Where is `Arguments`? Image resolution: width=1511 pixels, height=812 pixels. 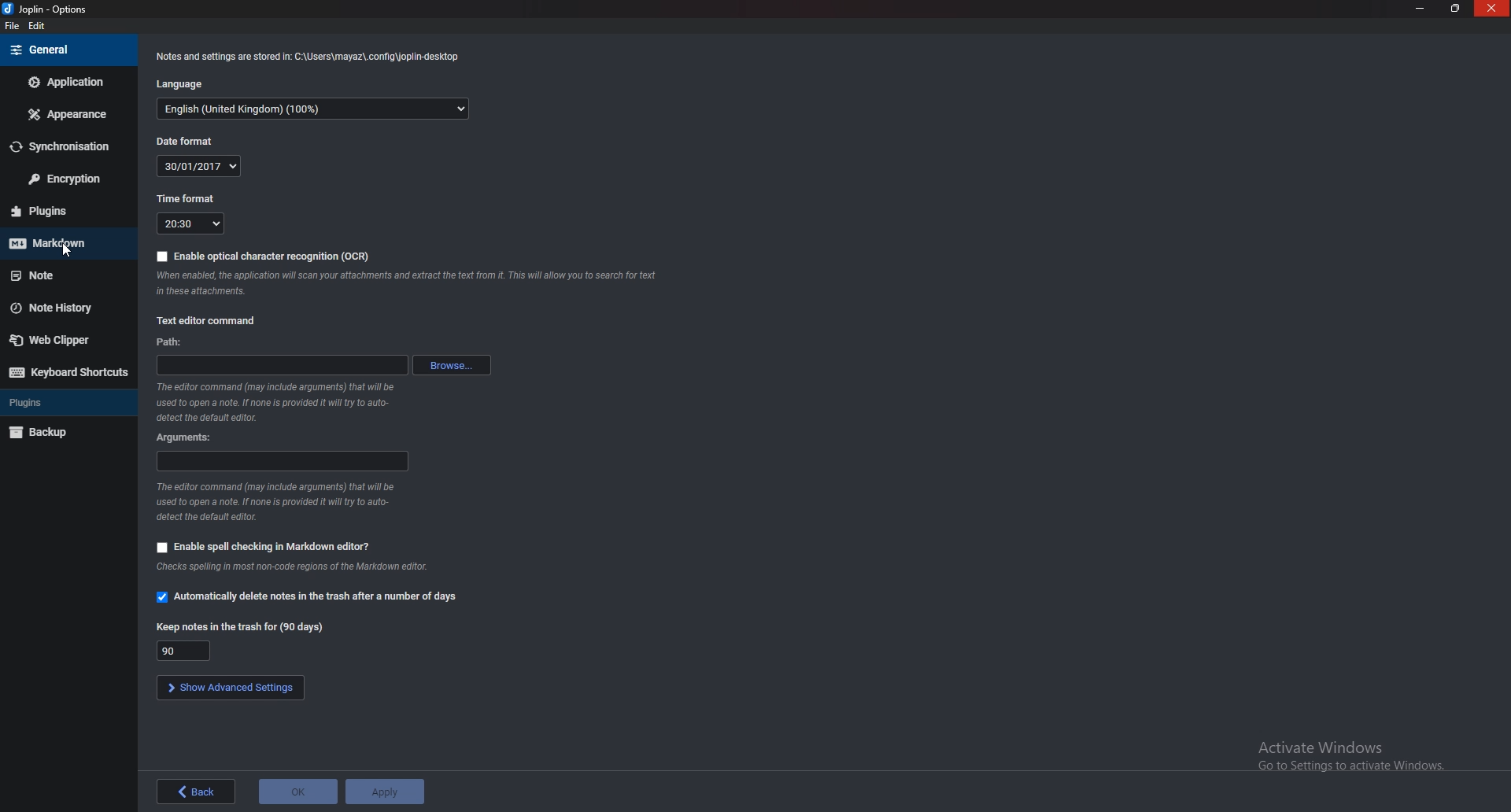 Arguments is located at coordinates (283, 461).